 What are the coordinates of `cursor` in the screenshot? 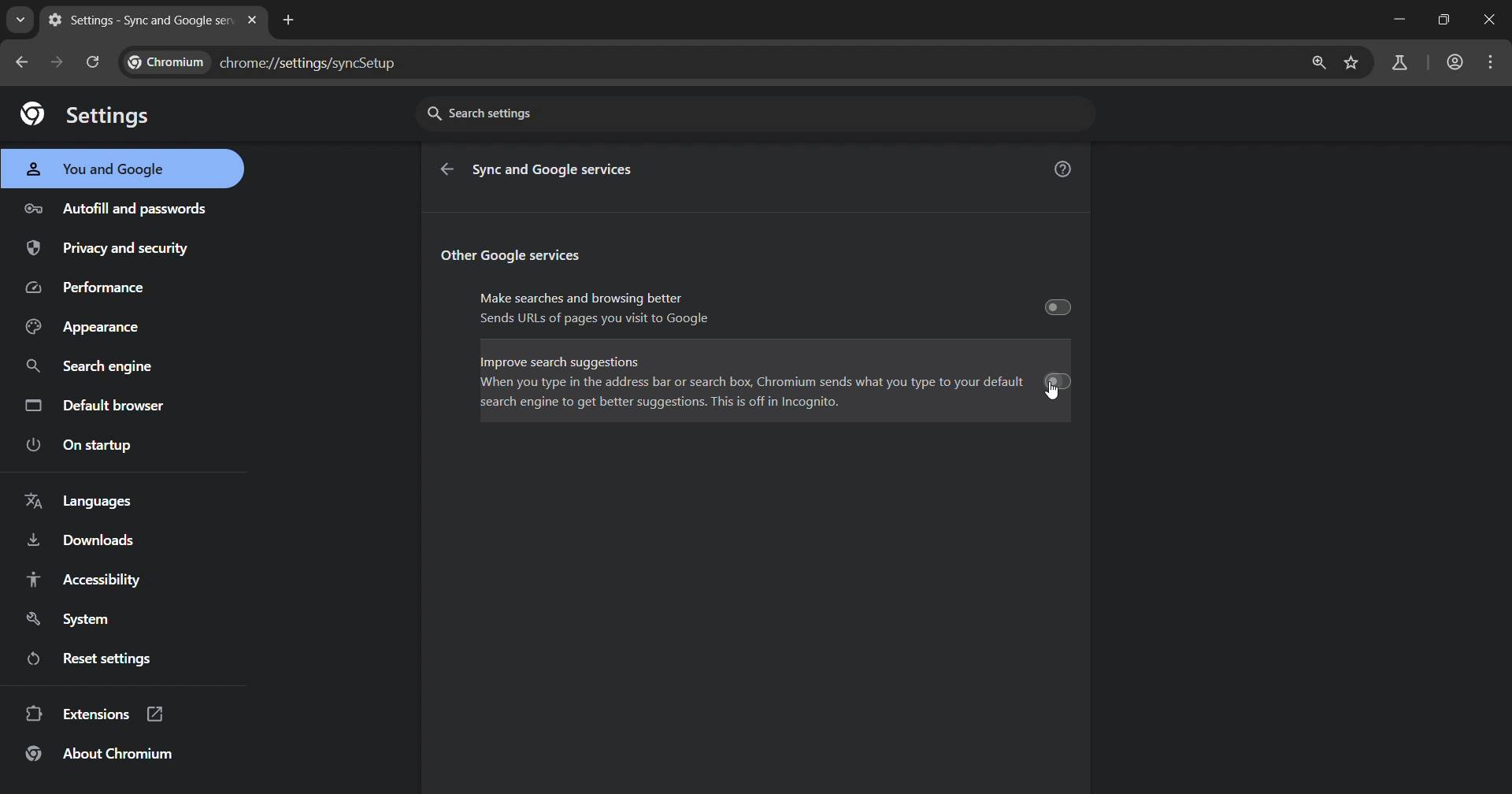 It's located at (1057, 393).